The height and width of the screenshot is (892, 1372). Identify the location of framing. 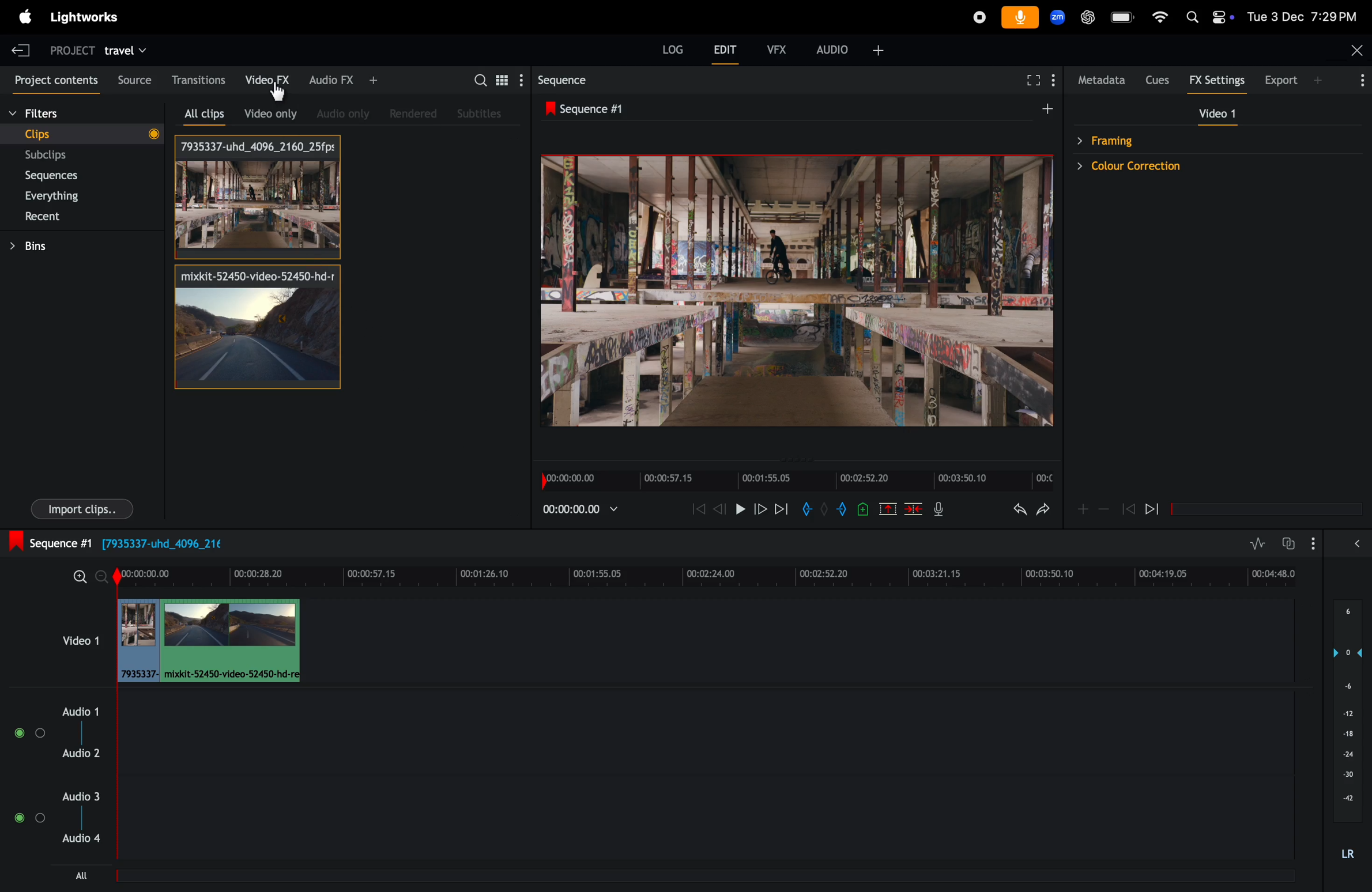
(1178, 140).